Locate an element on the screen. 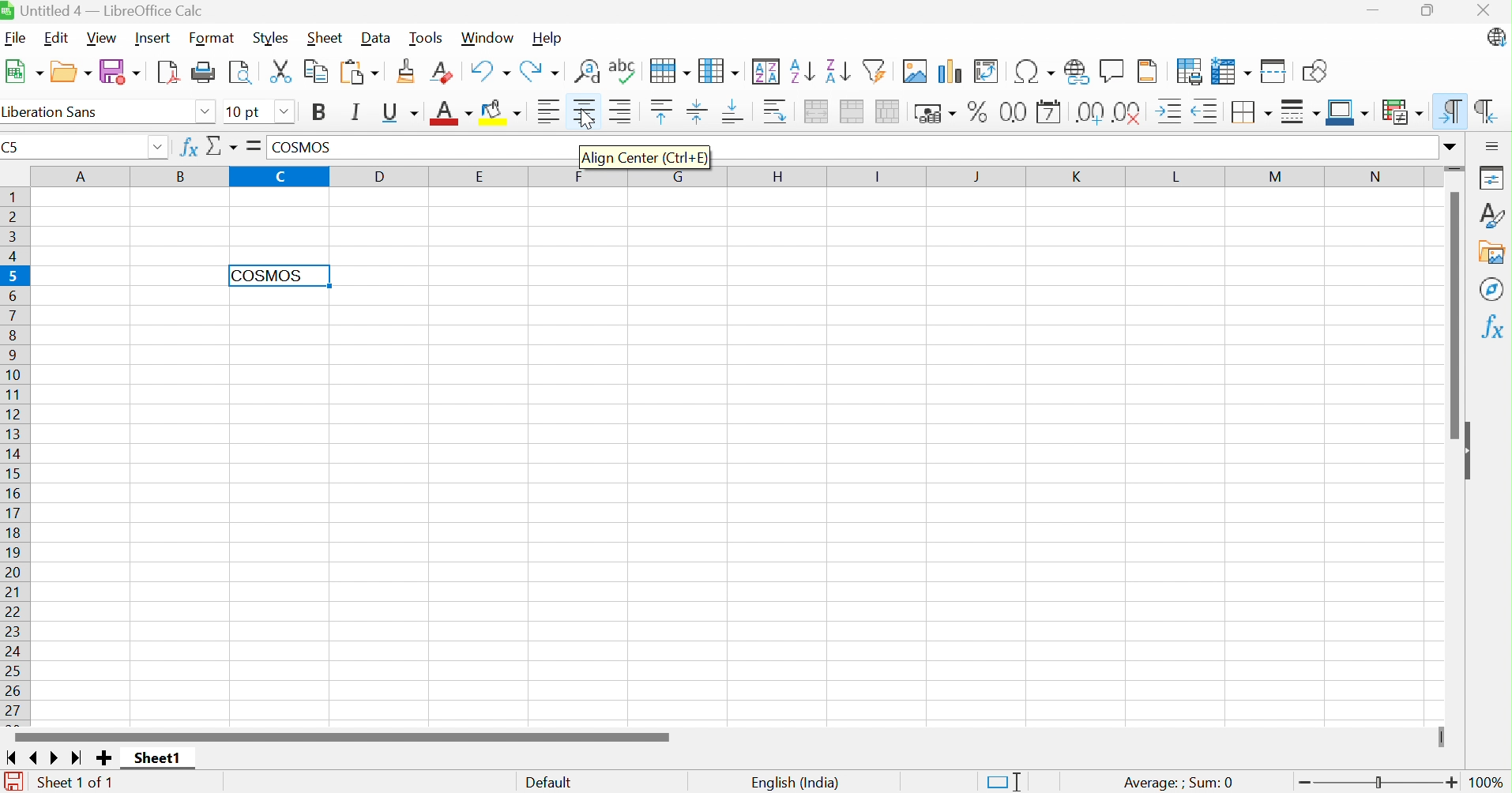  Merge and Center or Unmerge cells depending on the current toggle state is located at coordinates (815, 111).